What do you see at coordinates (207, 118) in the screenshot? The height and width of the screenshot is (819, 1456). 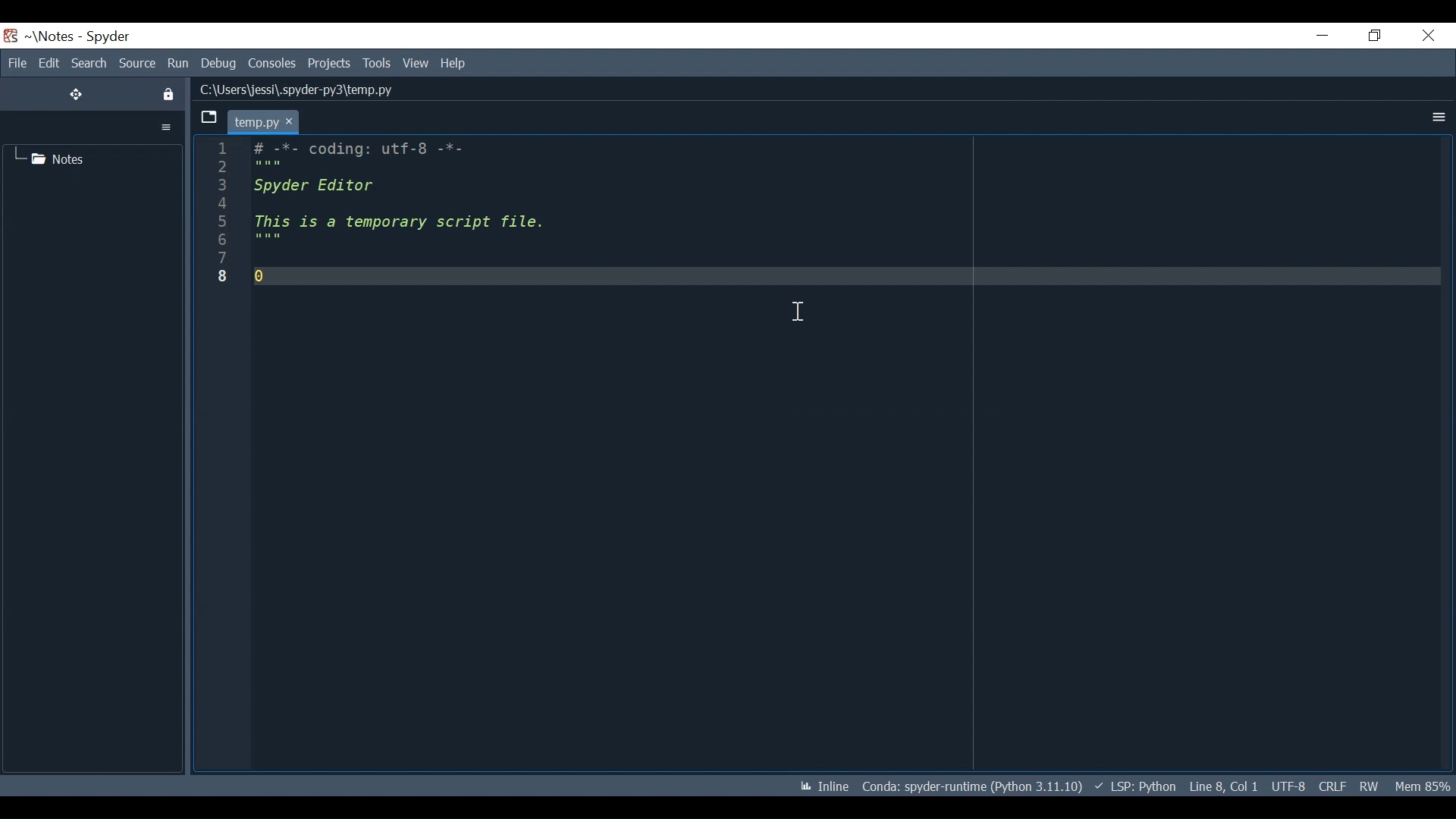 I see `Browse Tabs` at bounding box center [207, 118].